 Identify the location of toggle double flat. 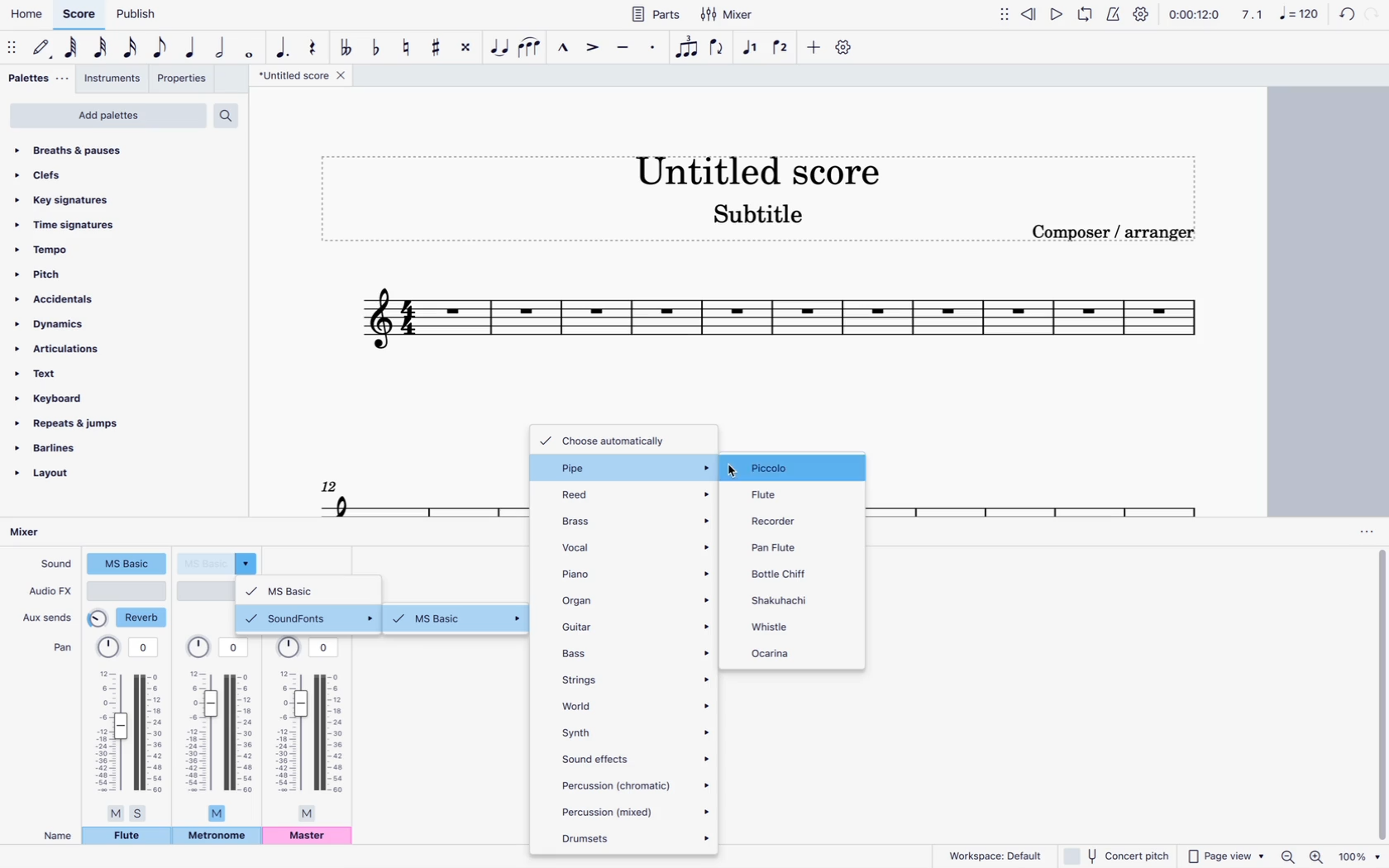
(345, 46).